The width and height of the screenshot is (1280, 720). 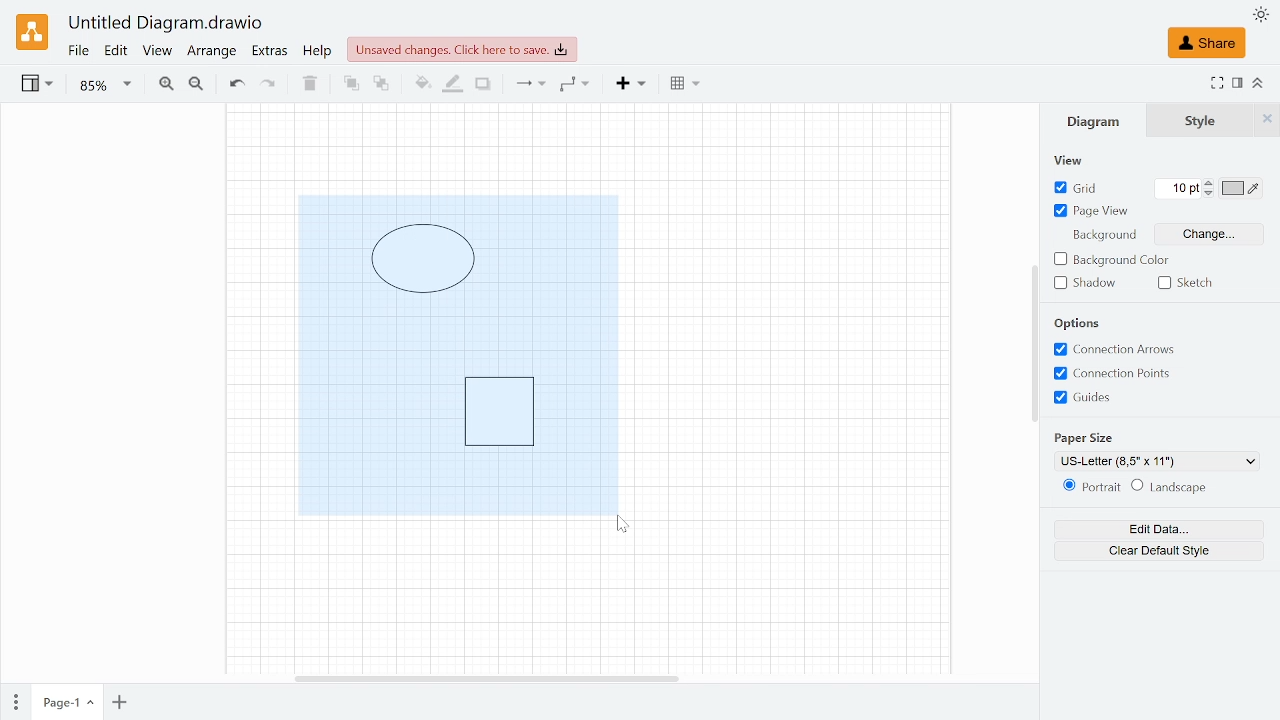 I want to click on Style, so click(x=1201, y=121).